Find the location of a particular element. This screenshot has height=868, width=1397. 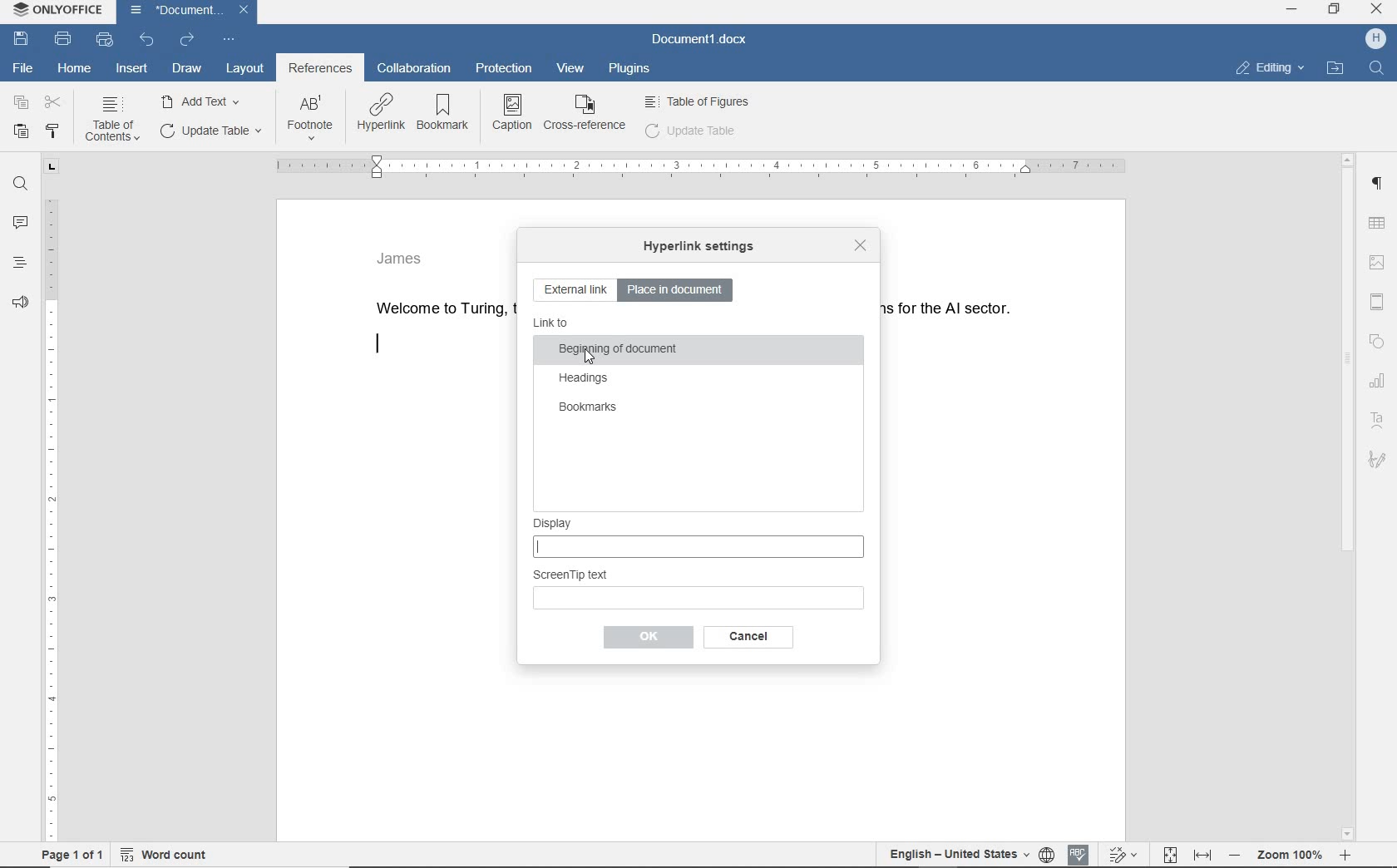

undo is located at coordinates (147, 41).